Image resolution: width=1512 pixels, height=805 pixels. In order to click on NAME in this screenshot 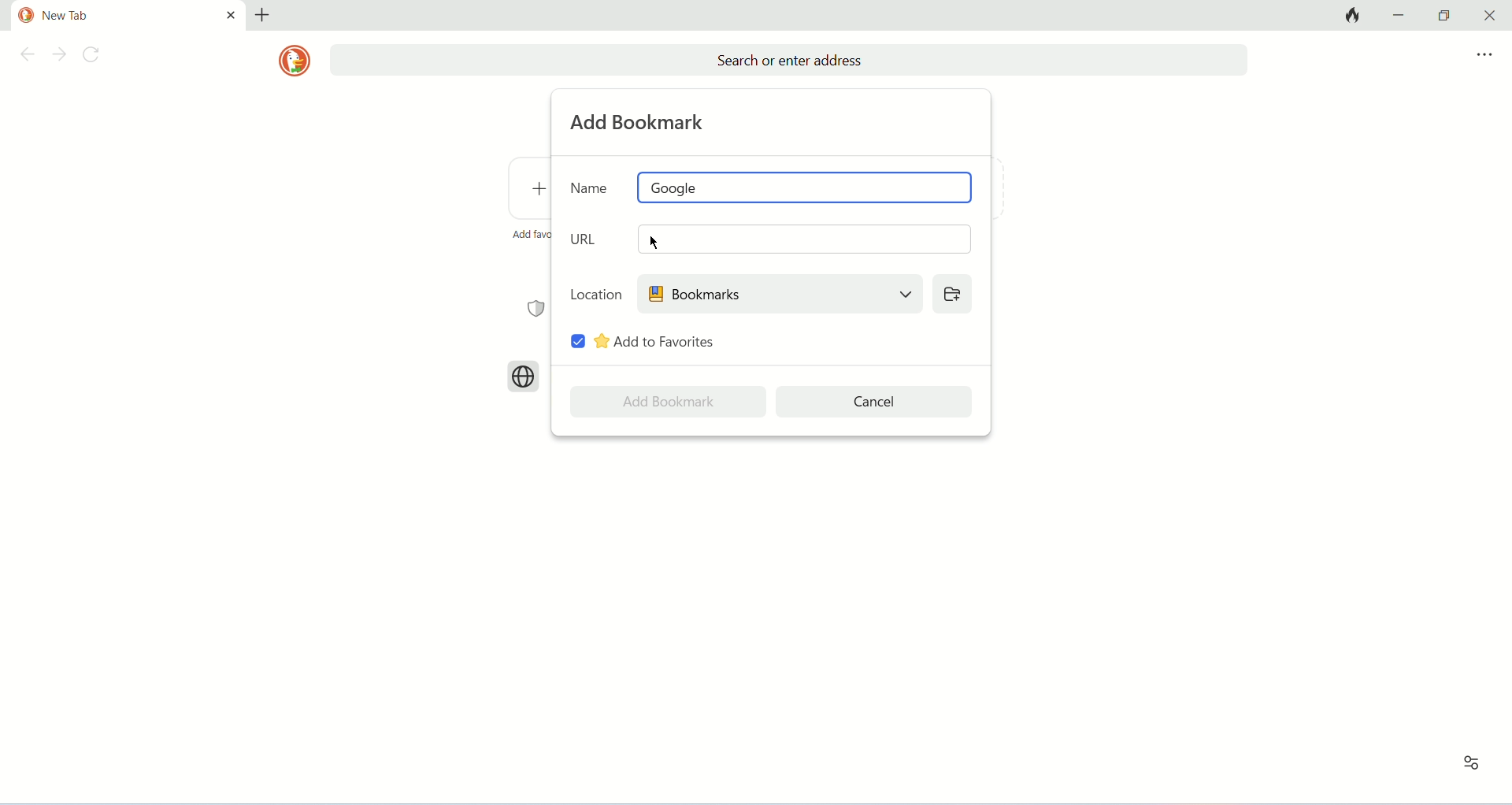, I will do `click(590, 187)`.